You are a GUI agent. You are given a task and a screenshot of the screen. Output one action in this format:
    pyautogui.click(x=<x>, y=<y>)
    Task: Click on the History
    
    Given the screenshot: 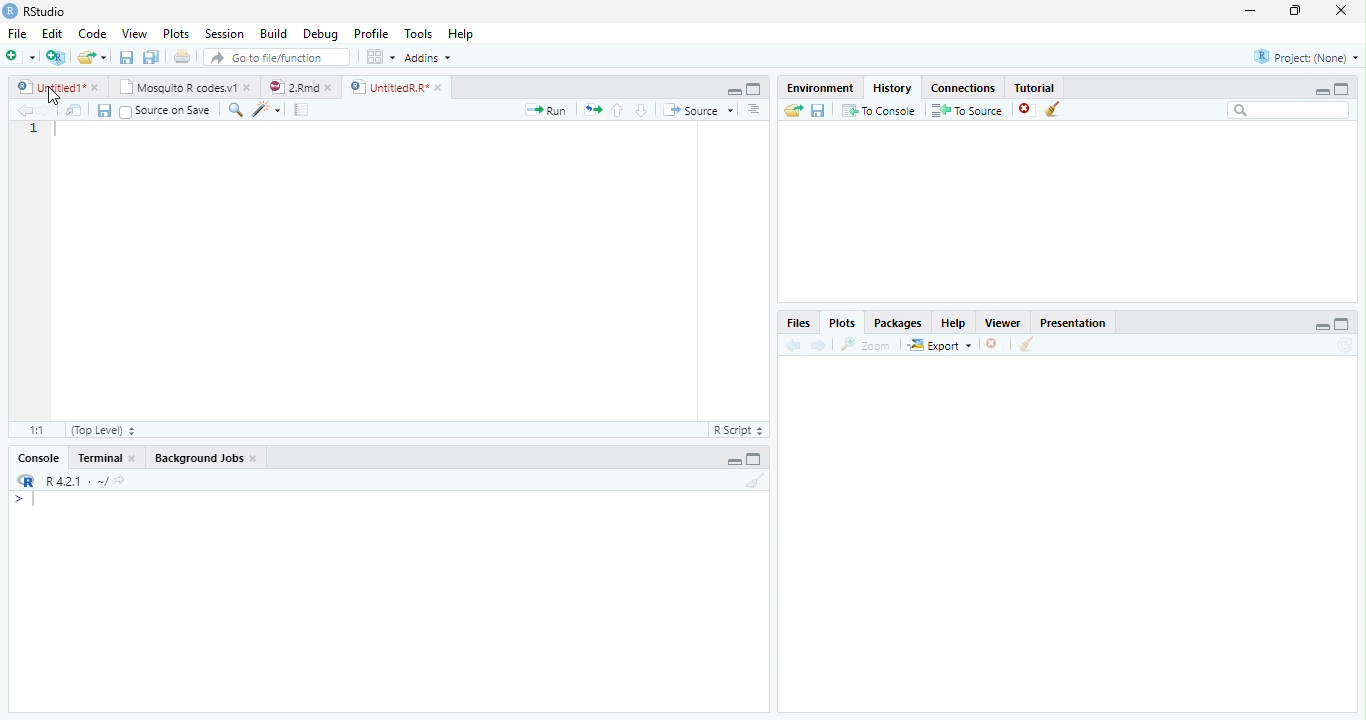 What is the action you would take?
    pyautogui.click(x=892, y=89)
    